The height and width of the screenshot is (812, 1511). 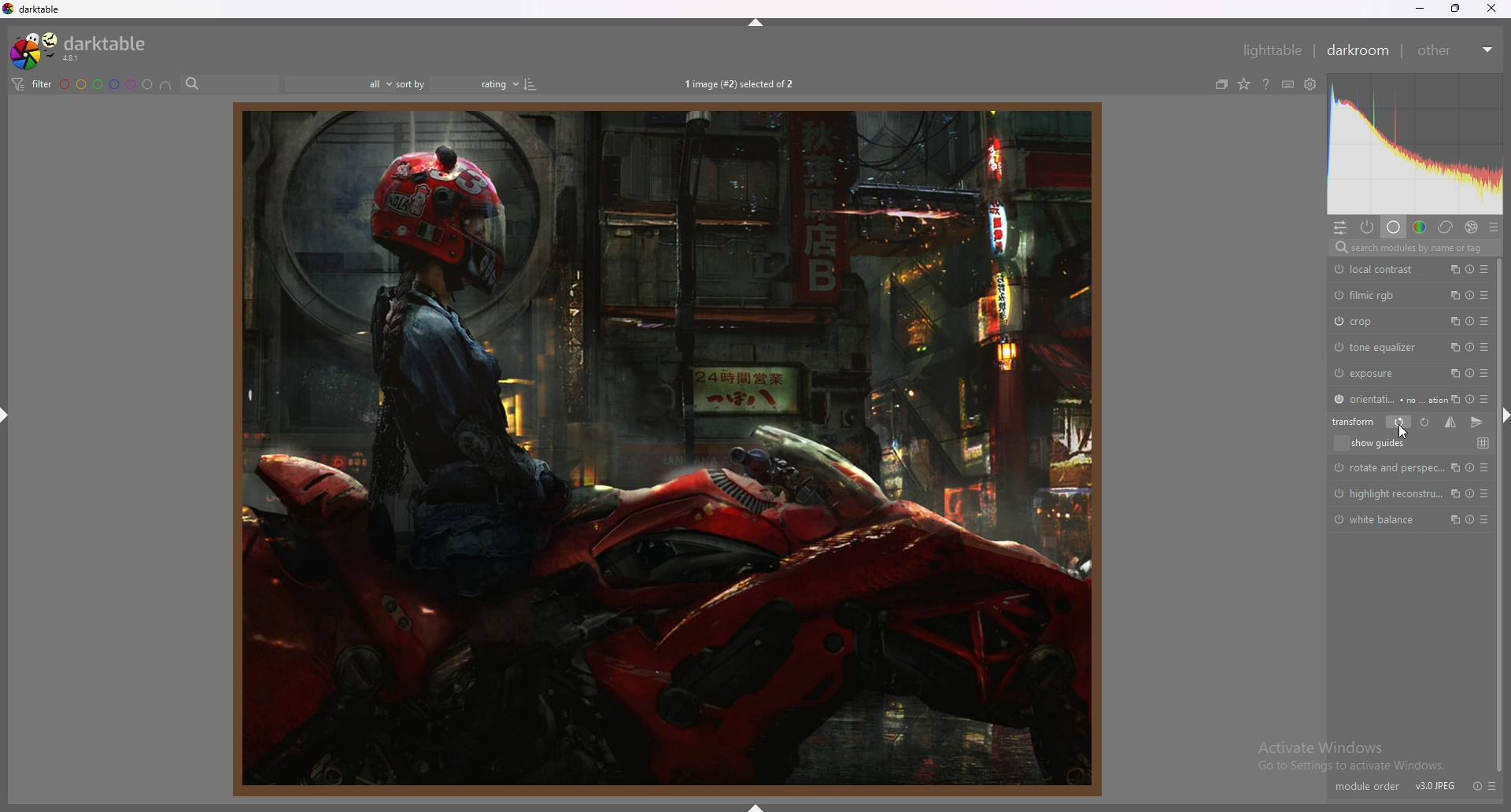 I want to click on search modules by name or tag, so click(x=1413, y=248).